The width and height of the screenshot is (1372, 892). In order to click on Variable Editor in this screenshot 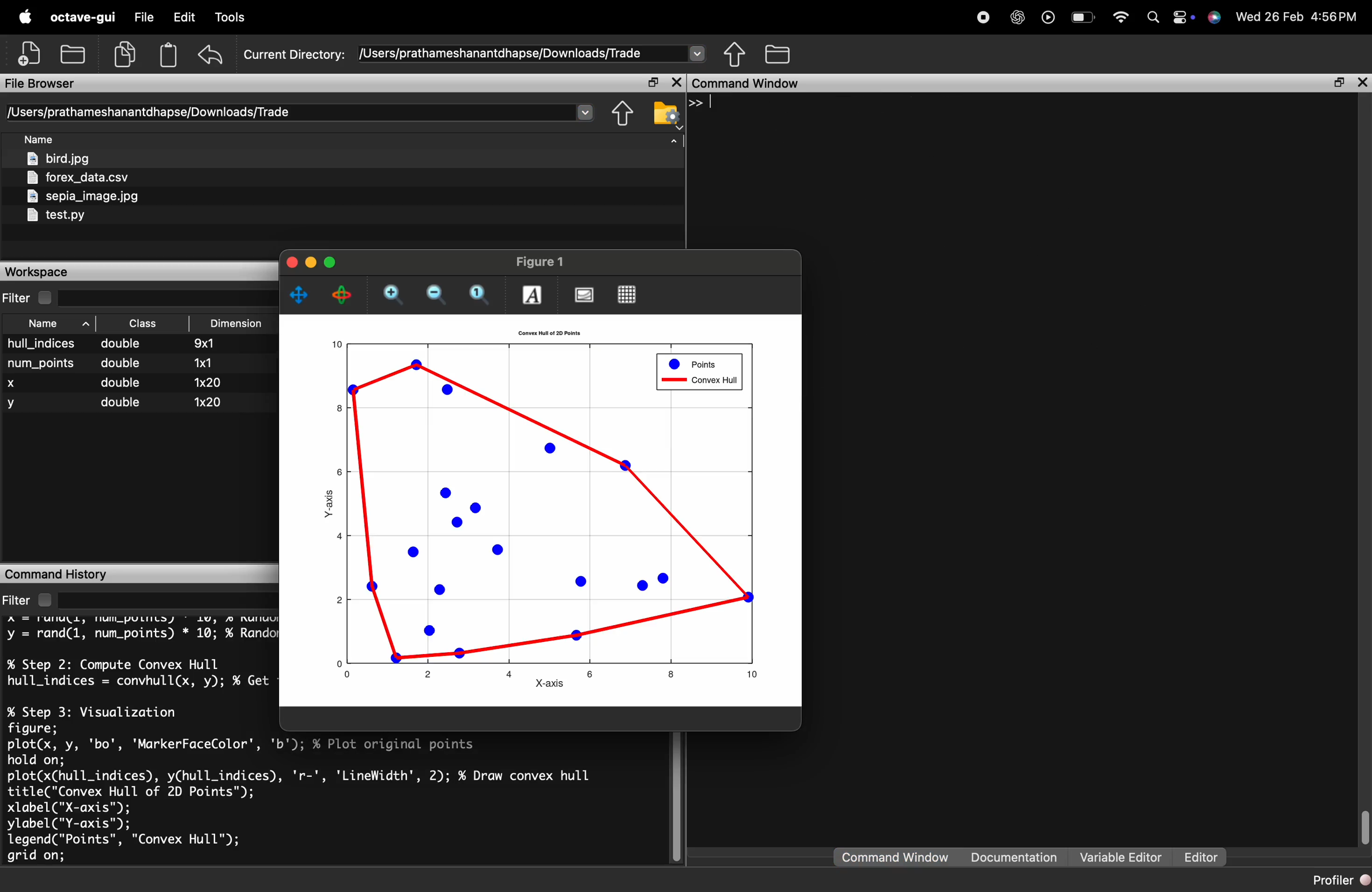, I will do `click(1120, 857)`.